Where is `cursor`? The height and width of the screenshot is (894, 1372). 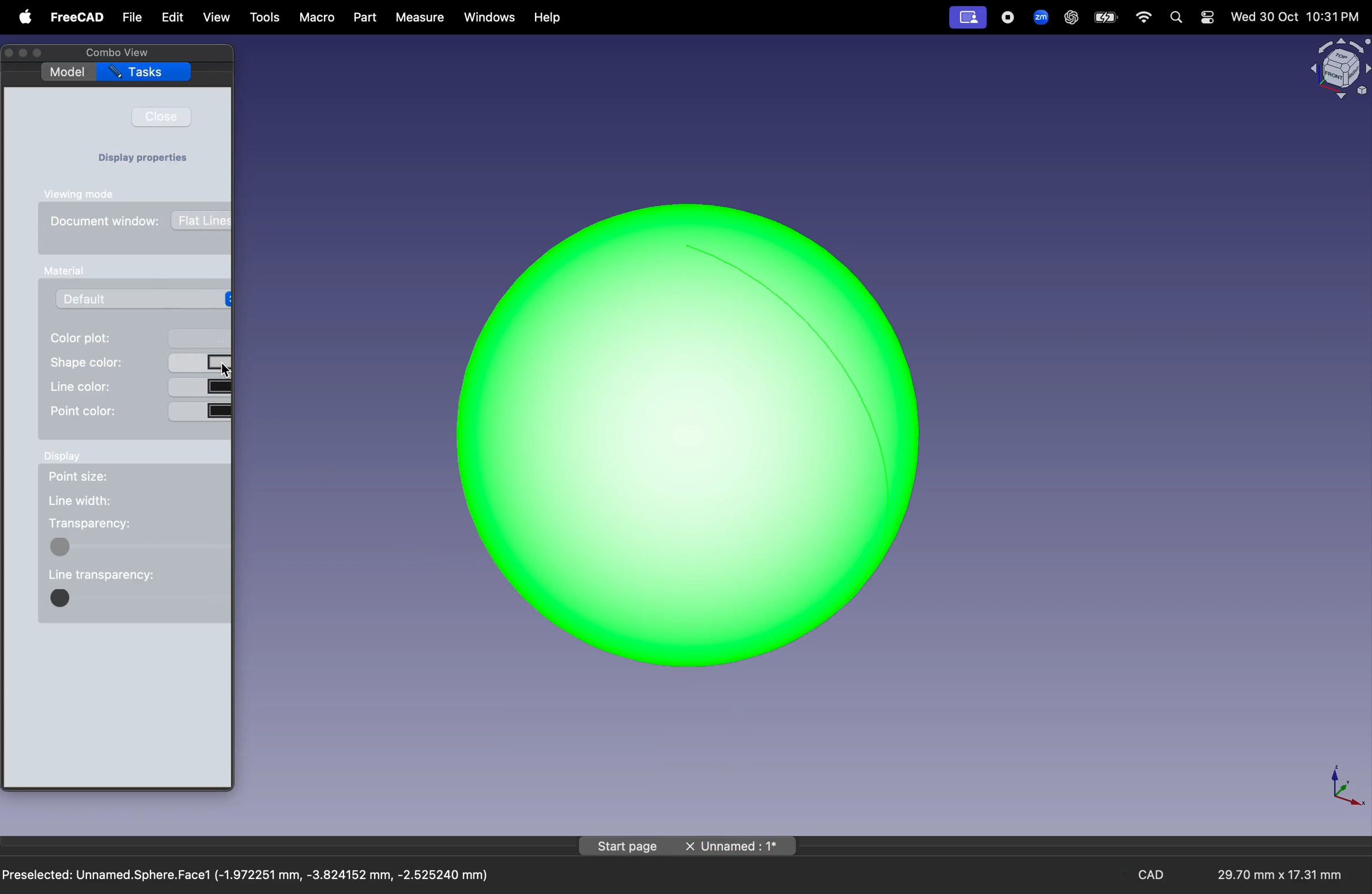
cursor is located at coordinates (224, 370).